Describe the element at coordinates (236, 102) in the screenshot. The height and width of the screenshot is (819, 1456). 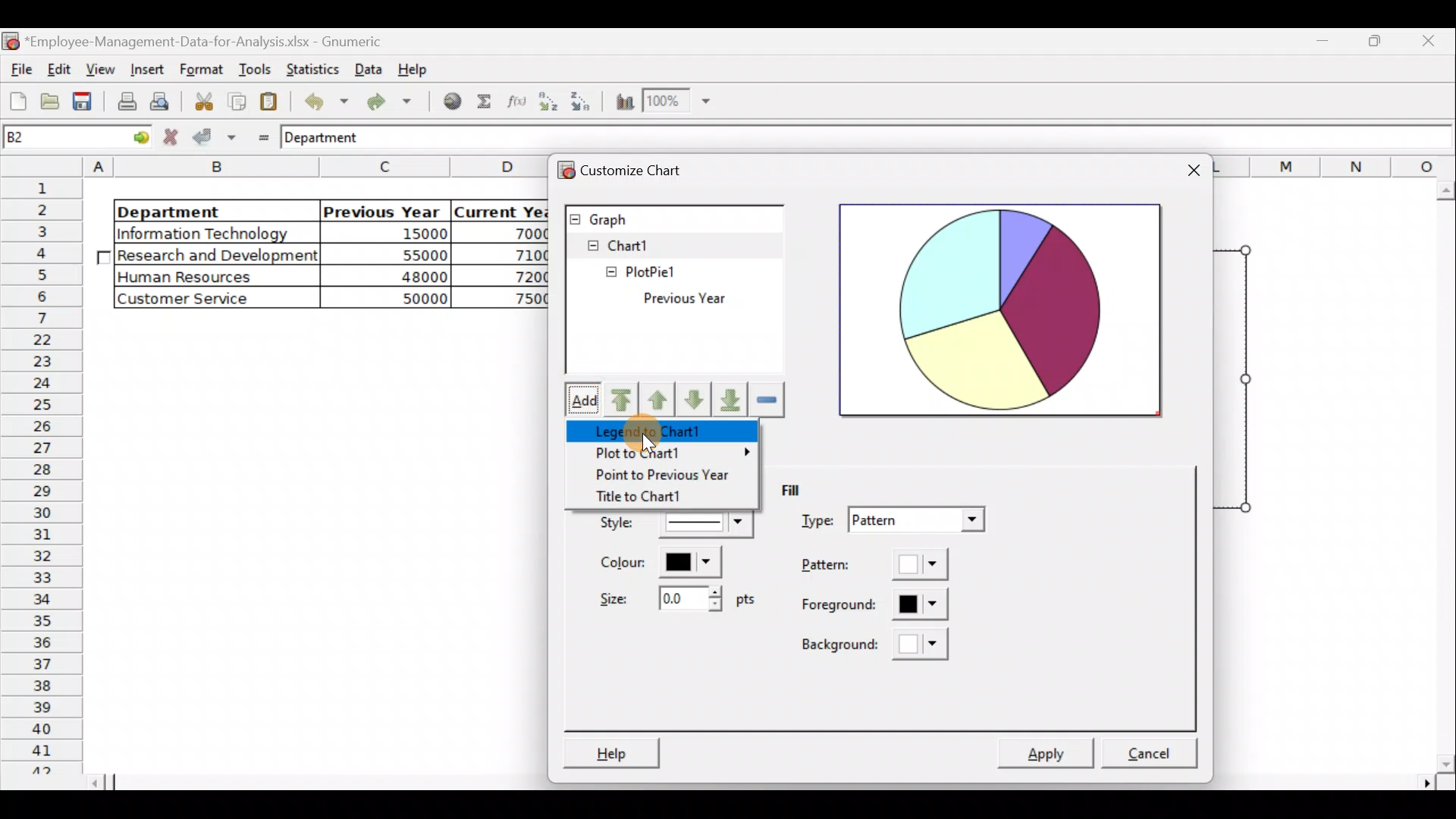
I see `Copy the selection` at that location.